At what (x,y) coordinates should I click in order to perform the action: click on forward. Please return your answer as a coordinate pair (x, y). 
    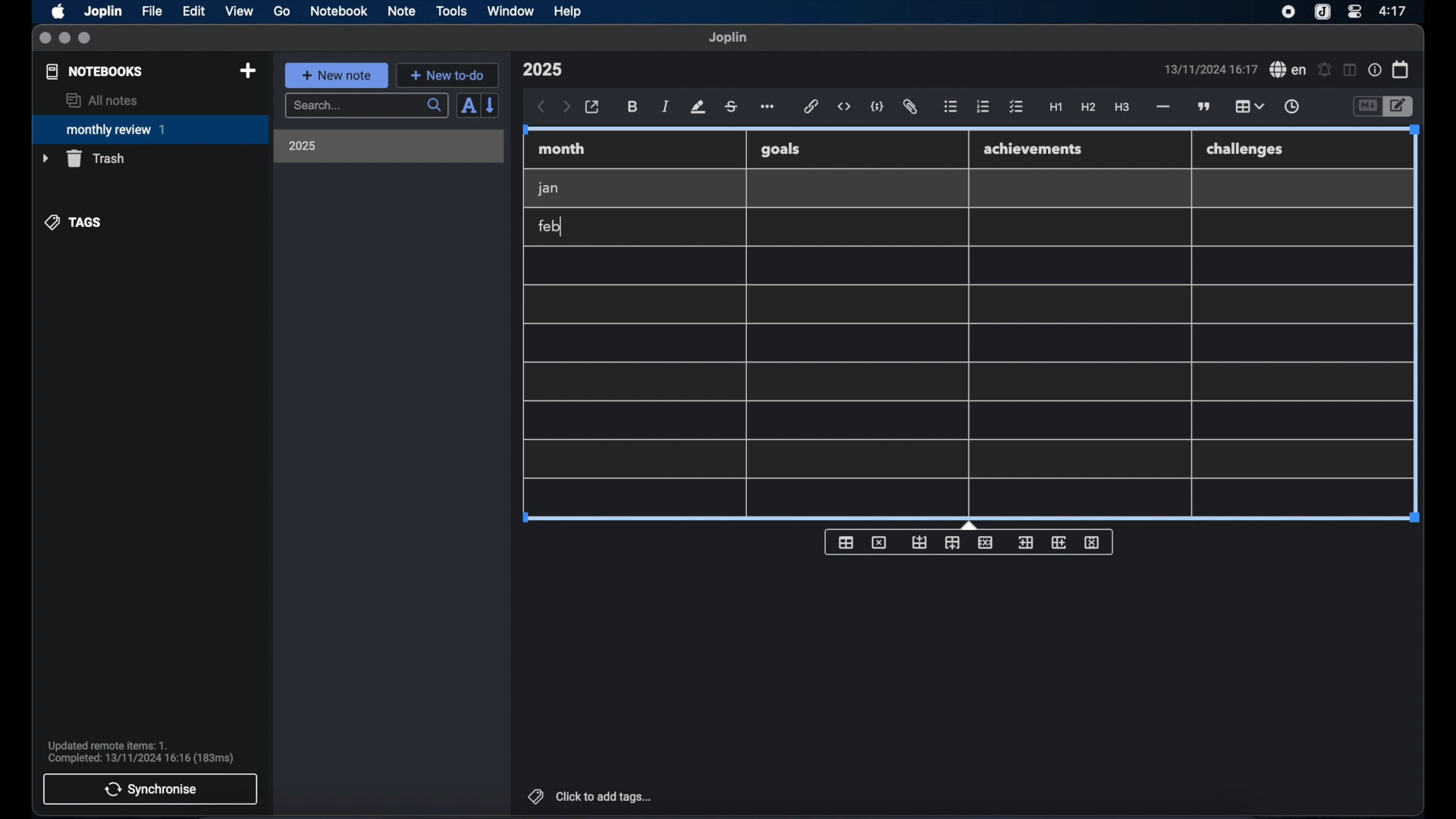
    Looking at the image, I should click on (566, 108).